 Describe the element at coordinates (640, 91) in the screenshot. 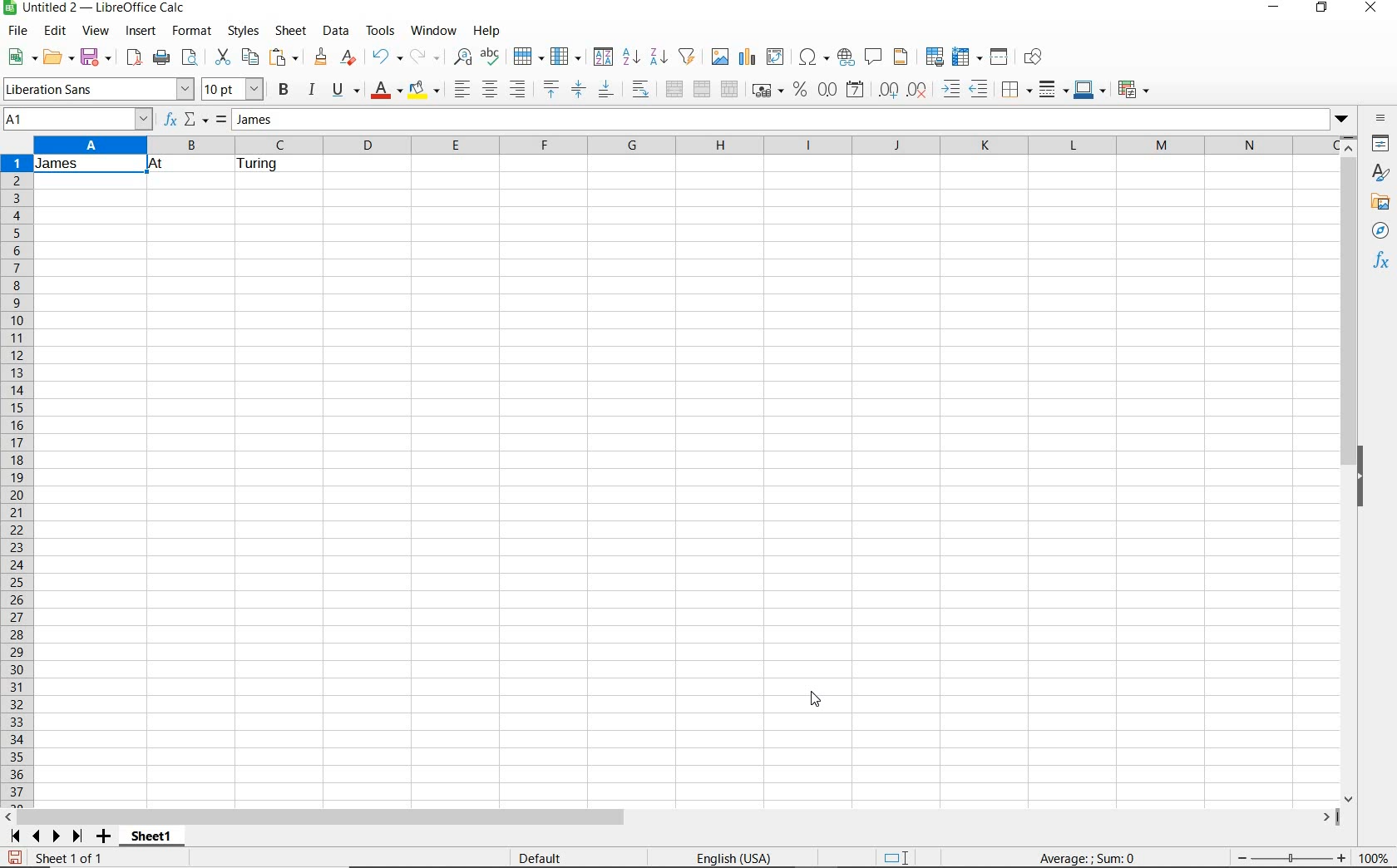

I see `wrap text` at that location.